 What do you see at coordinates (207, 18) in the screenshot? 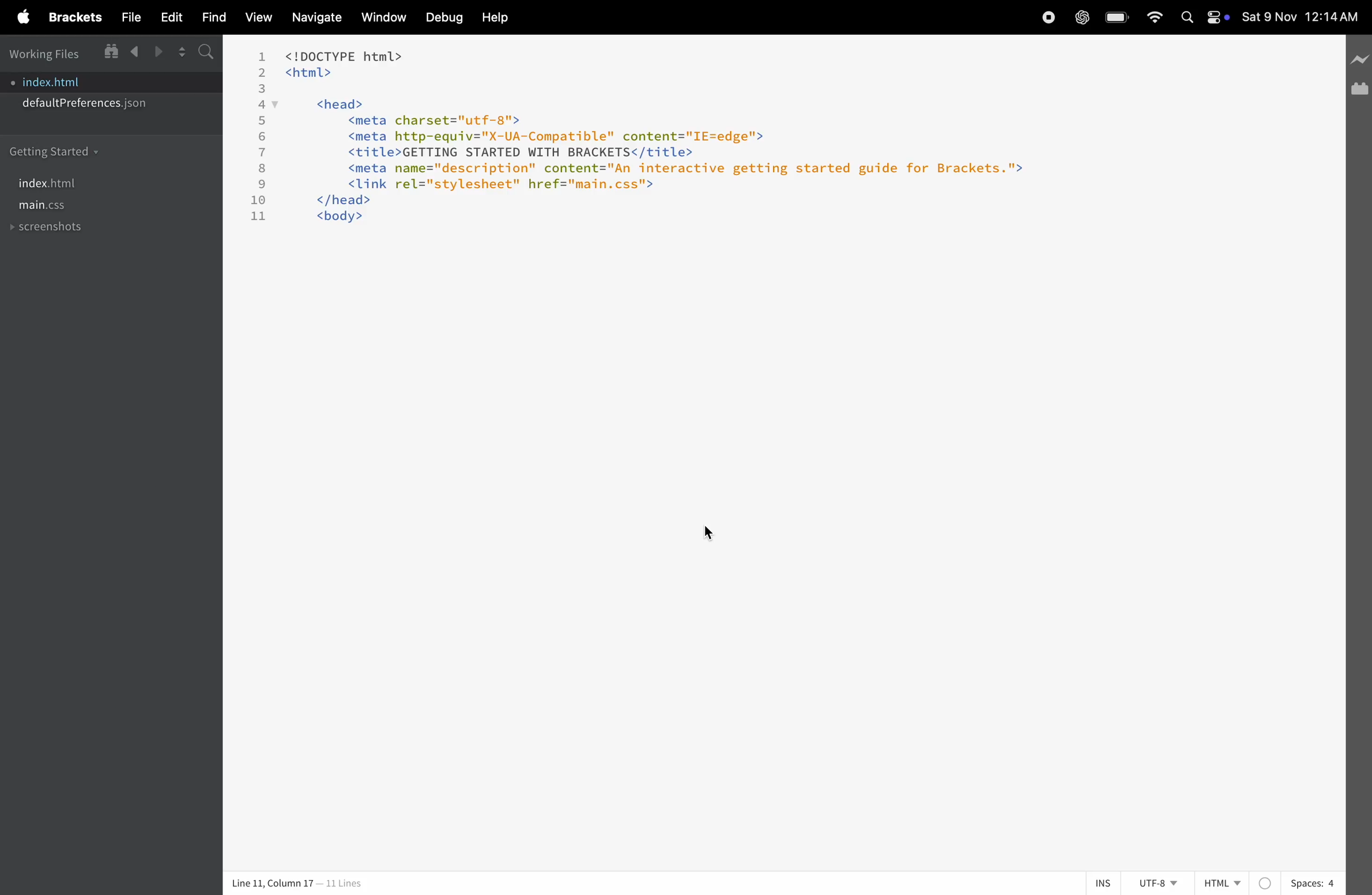
I see `find` at bounding box center [207, 18].